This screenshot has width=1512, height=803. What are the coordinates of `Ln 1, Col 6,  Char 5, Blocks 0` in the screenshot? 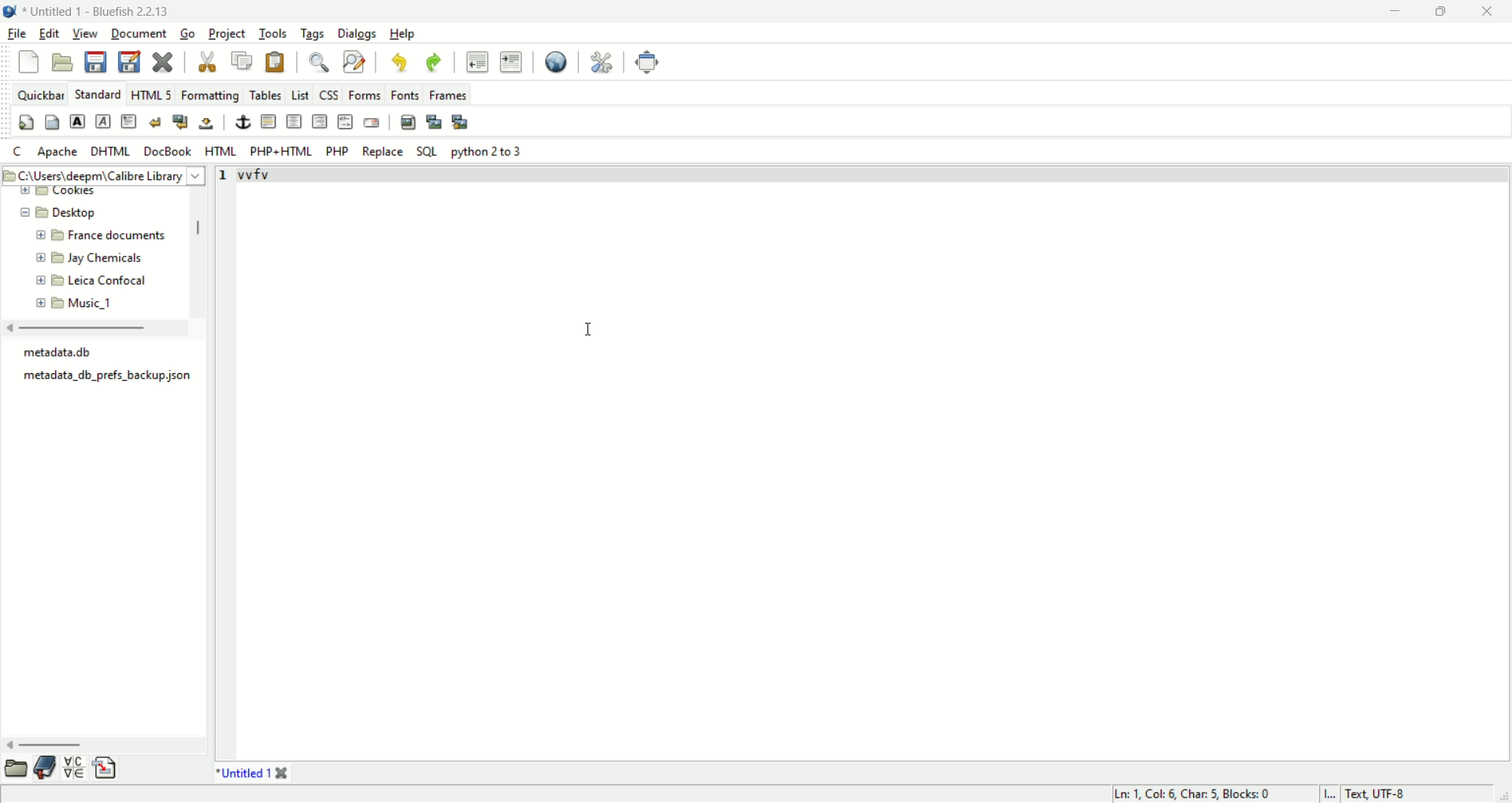 It's located at (1199, 791).